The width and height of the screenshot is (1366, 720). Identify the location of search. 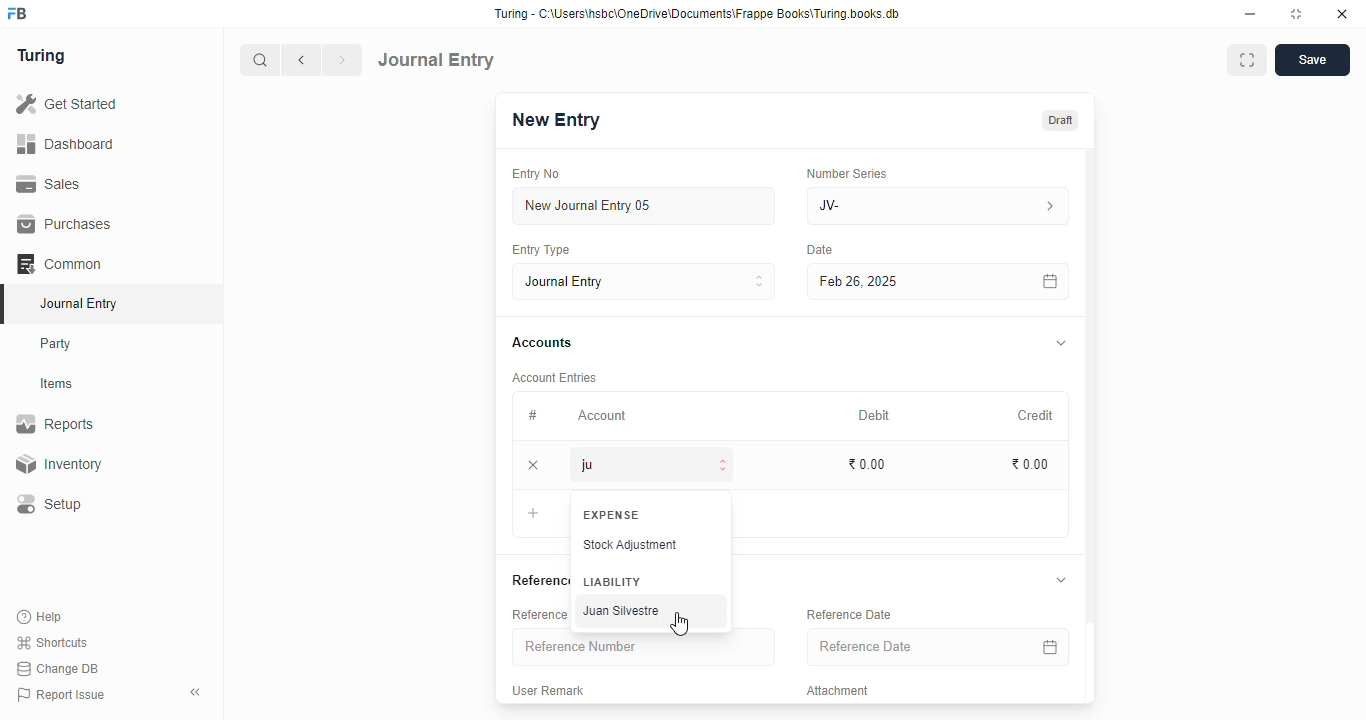
(261, 60).